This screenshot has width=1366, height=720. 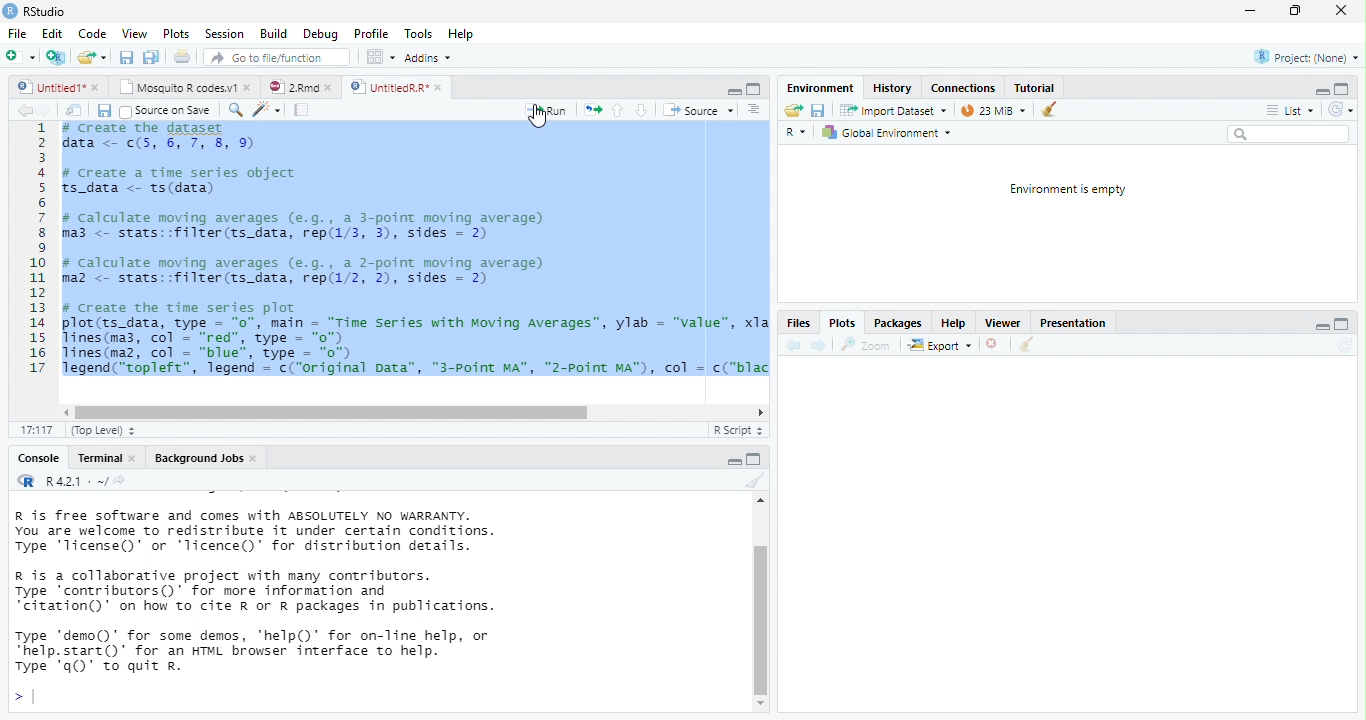 I want to click on code tool, so click(x=268, y=109).